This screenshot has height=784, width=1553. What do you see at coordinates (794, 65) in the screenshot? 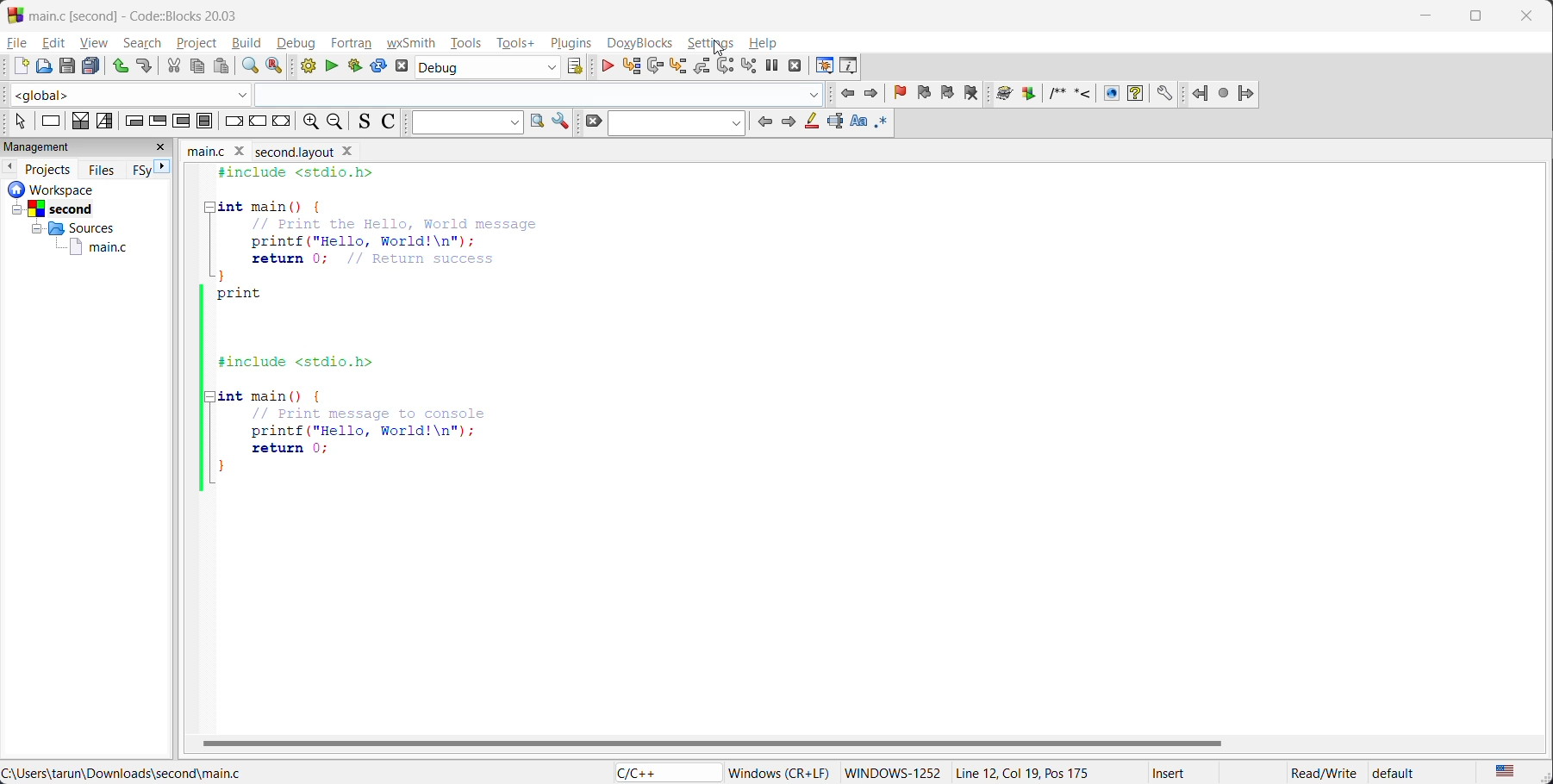
I see `stop debugger` at bounding box center [794, 65].